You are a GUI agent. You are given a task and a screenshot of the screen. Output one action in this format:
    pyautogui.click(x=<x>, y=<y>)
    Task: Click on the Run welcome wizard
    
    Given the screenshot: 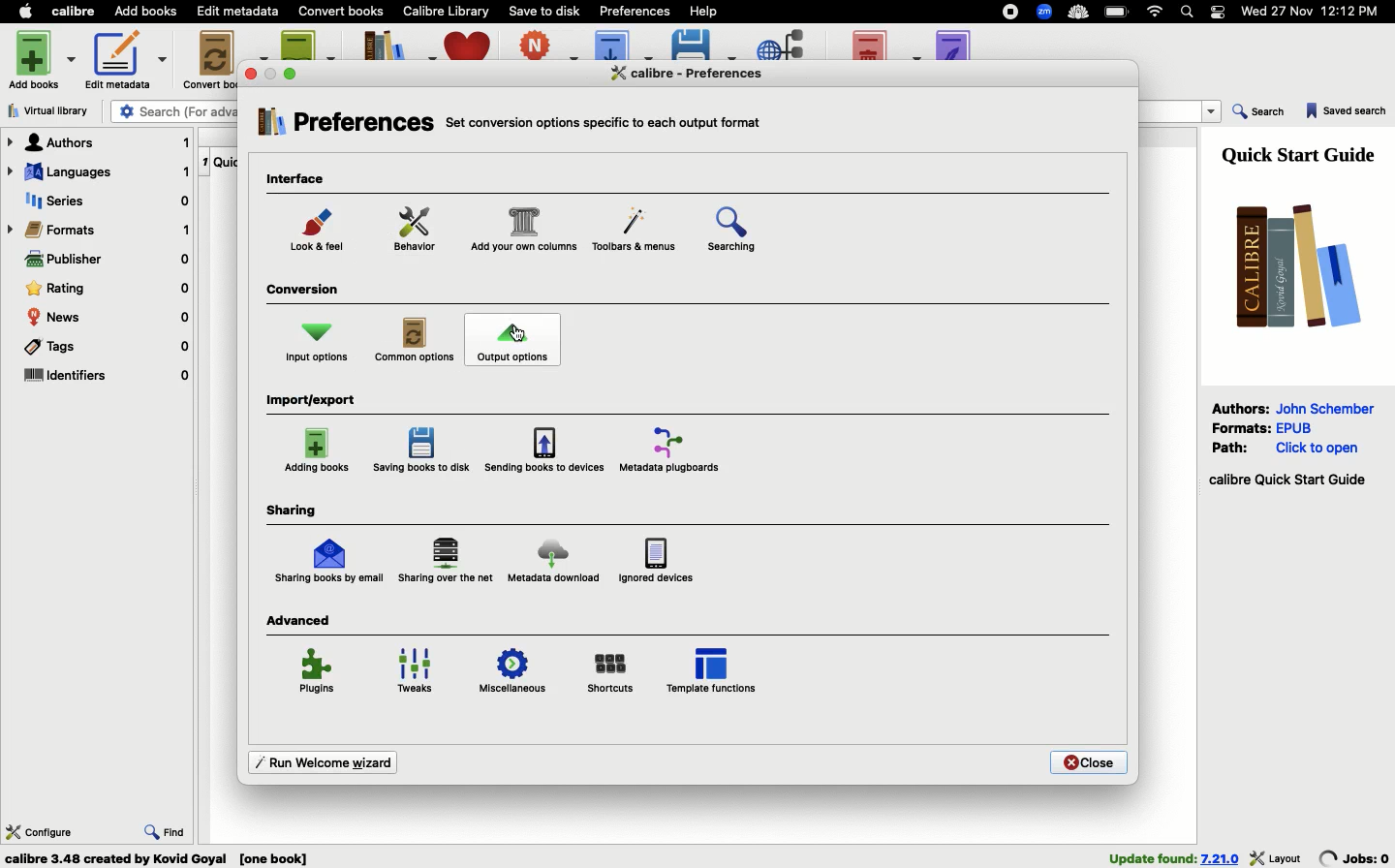 What is the action you would take?
    pyautogui.click(x=320, y=760)
    